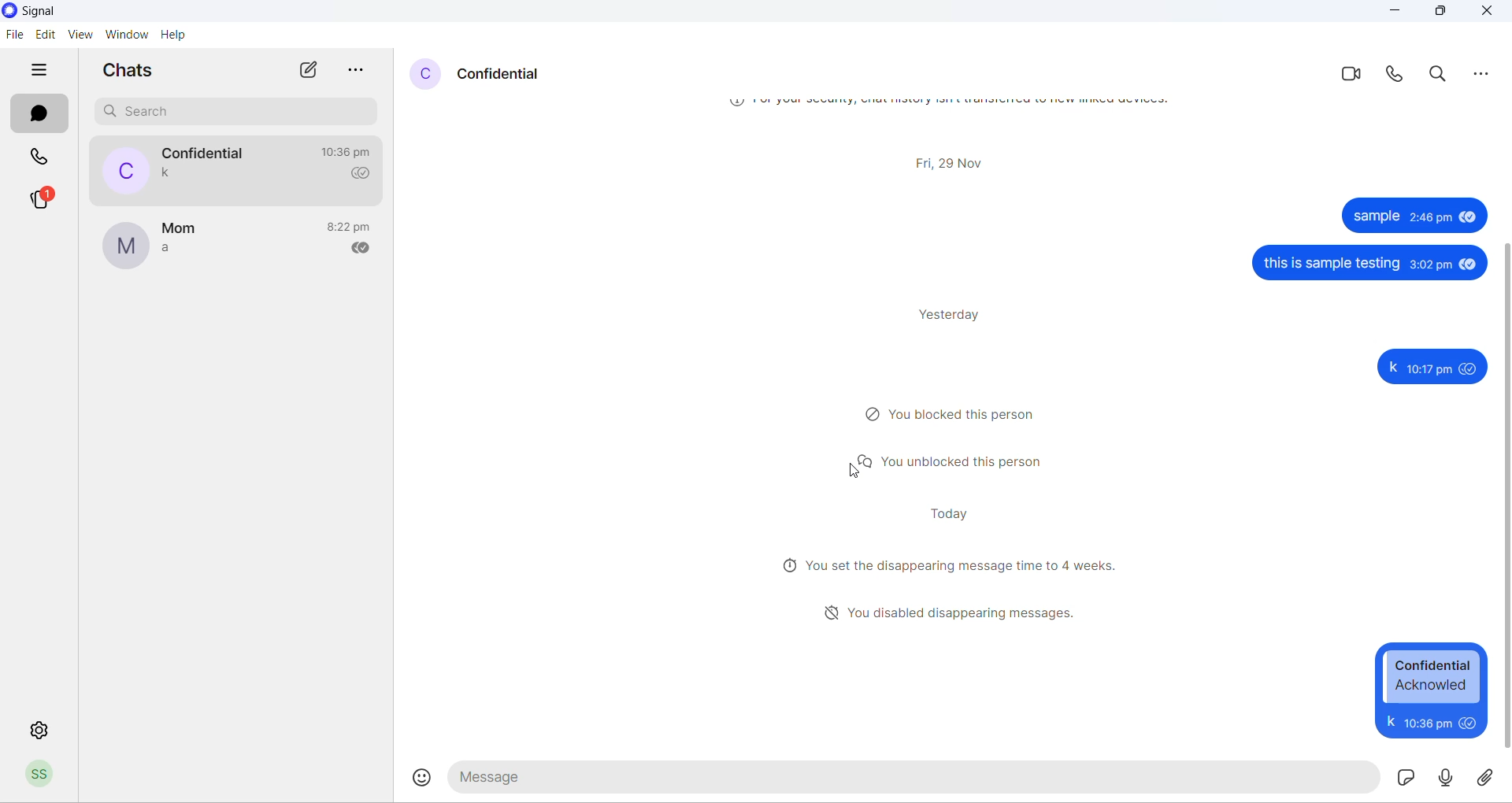 The width and height of the screenshot is (1512, 803). Describe the element at coordinates (41, 115) in the screenshot. I see `chats` at that location.